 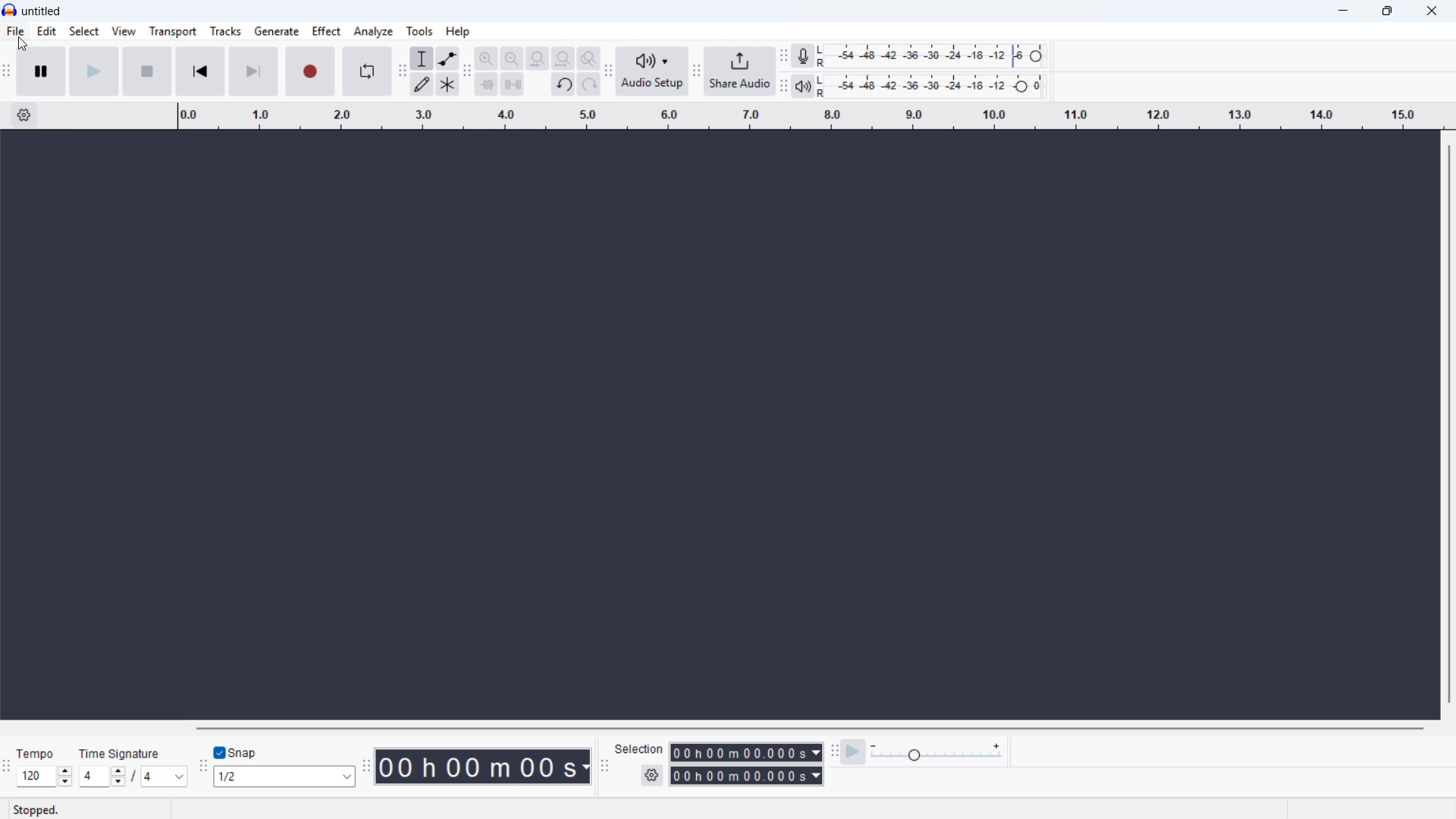 I want to click on Timeline settings , so click(x=24, y=116).